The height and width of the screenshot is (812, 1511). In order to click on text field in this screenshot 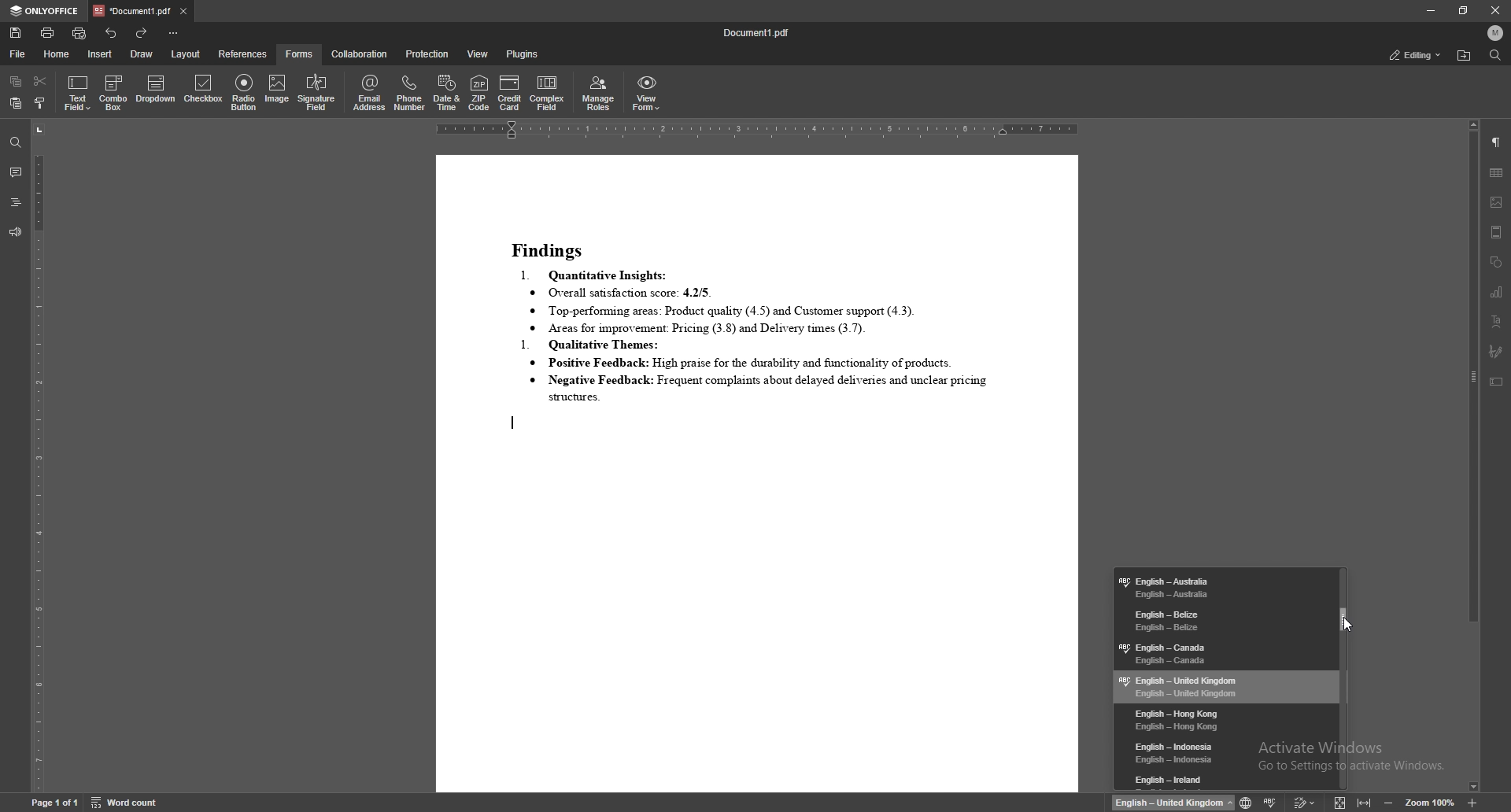, I will do `click(78, 93)`.